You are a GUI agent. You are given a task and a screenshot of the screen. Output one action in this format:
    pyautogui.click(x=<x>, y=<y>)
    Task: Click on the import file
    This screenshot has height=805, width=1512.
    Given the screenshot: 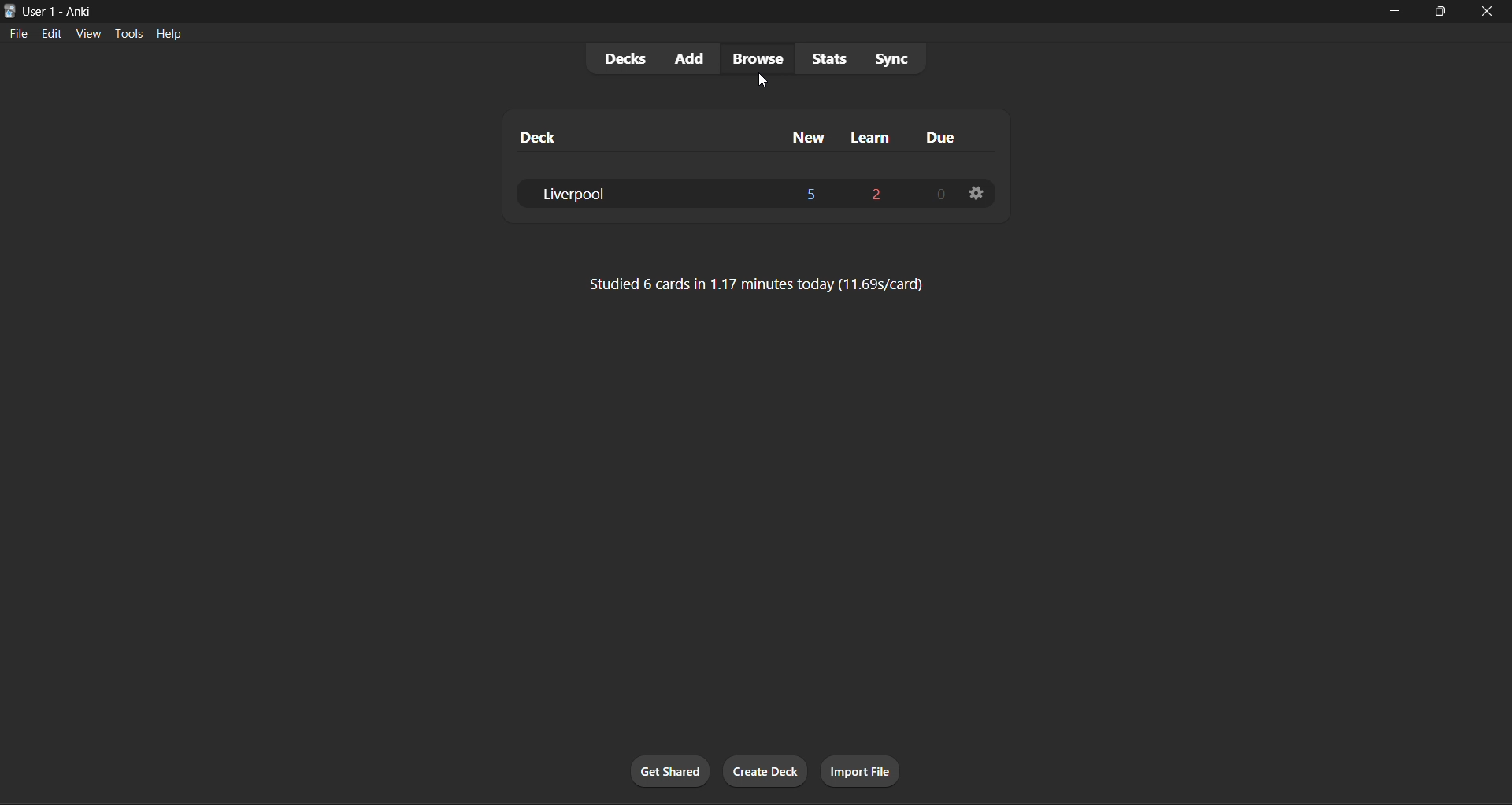 What is the action you would take?
    pyautogui.click(x=862, y=768)
    